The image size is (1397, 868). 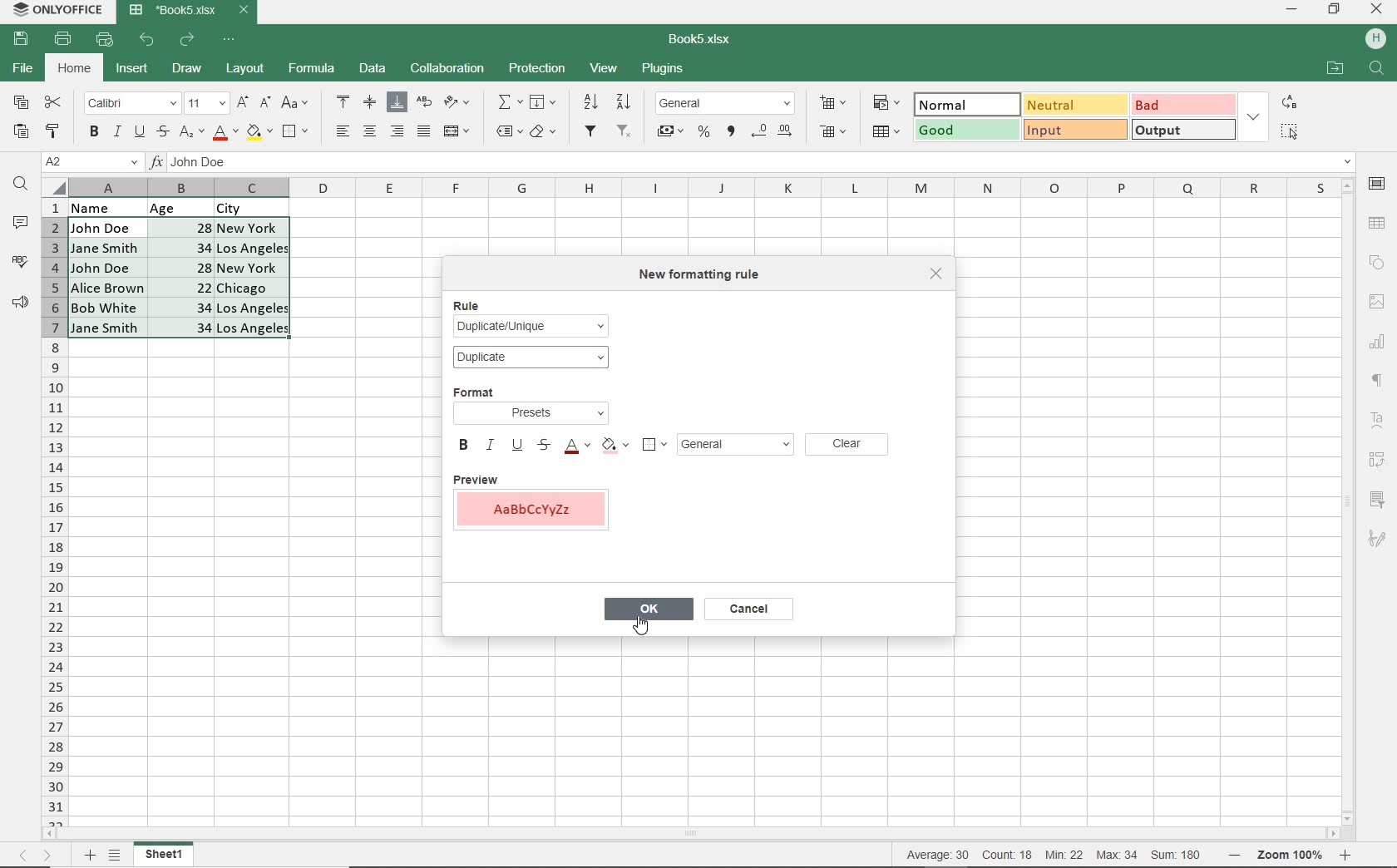 What do you see at coordinates (190, 11) in the screenshot?
I see `DOCUMENT NAME` at bounding box center [190, 11].